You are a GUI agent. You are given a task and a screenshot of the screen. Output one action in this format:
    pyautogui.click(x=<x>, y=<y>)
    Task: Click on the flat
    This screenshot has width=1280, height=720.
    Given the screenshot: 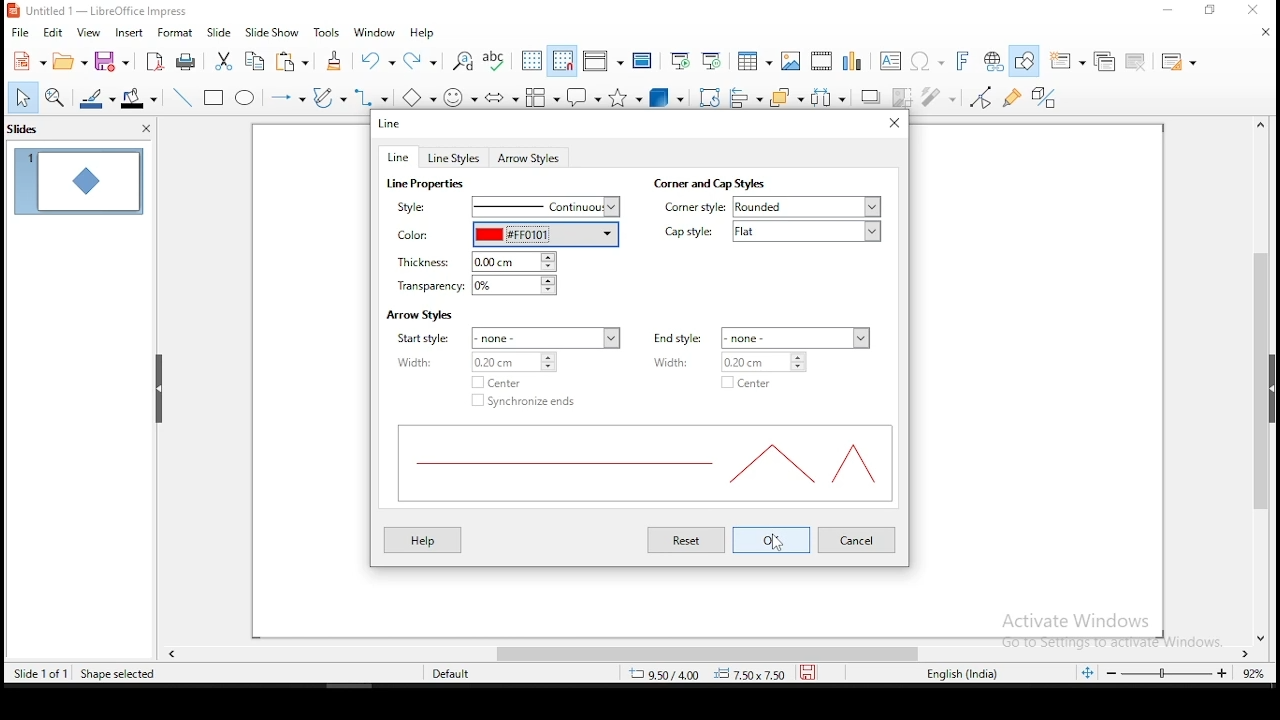 What is the action you would take?
    pyautogui.click(x=810, y=232)
    